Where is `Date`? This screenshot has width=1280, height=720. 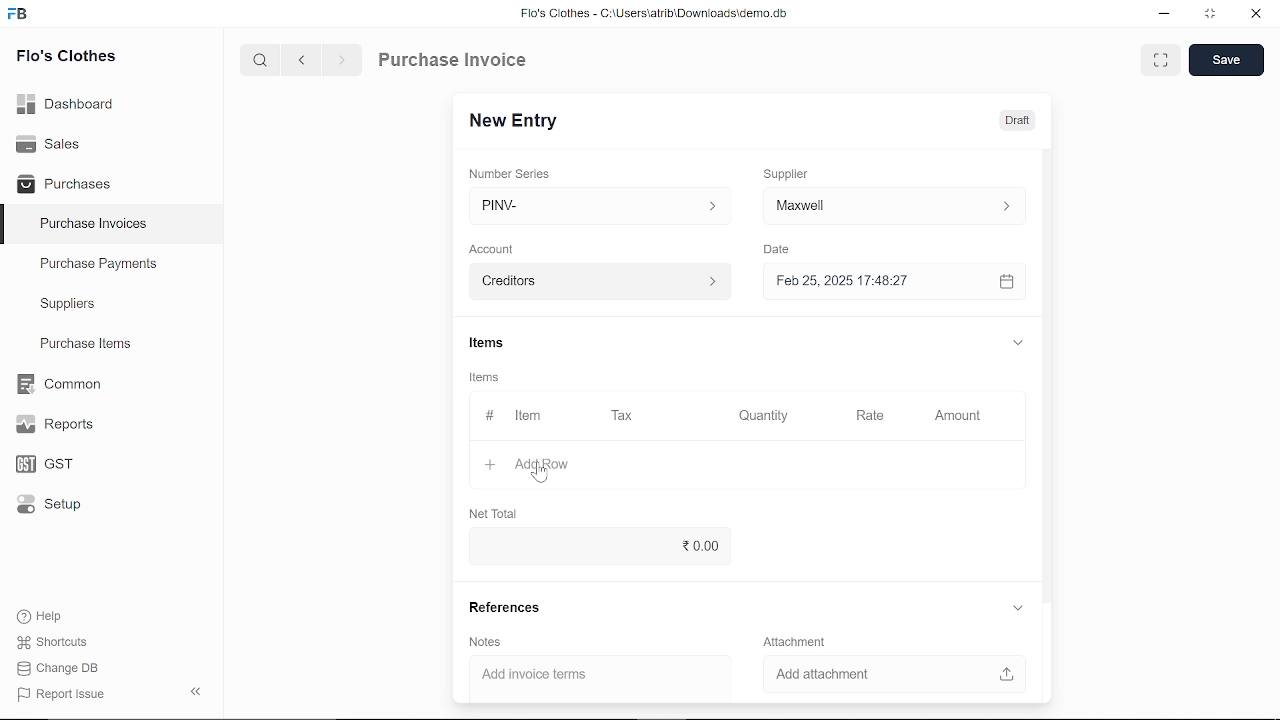 Date is located at coordinates (782, 250).